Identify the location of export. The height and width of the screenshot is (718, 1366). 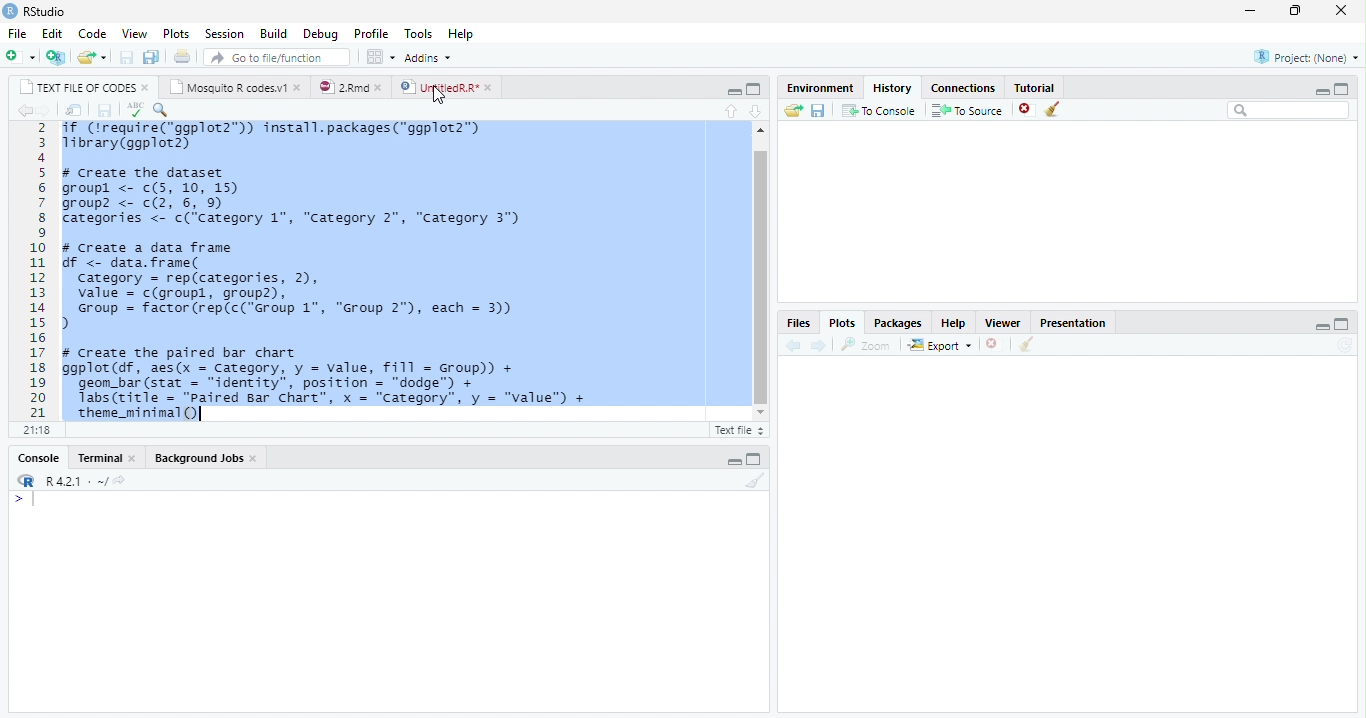
(936, 345).